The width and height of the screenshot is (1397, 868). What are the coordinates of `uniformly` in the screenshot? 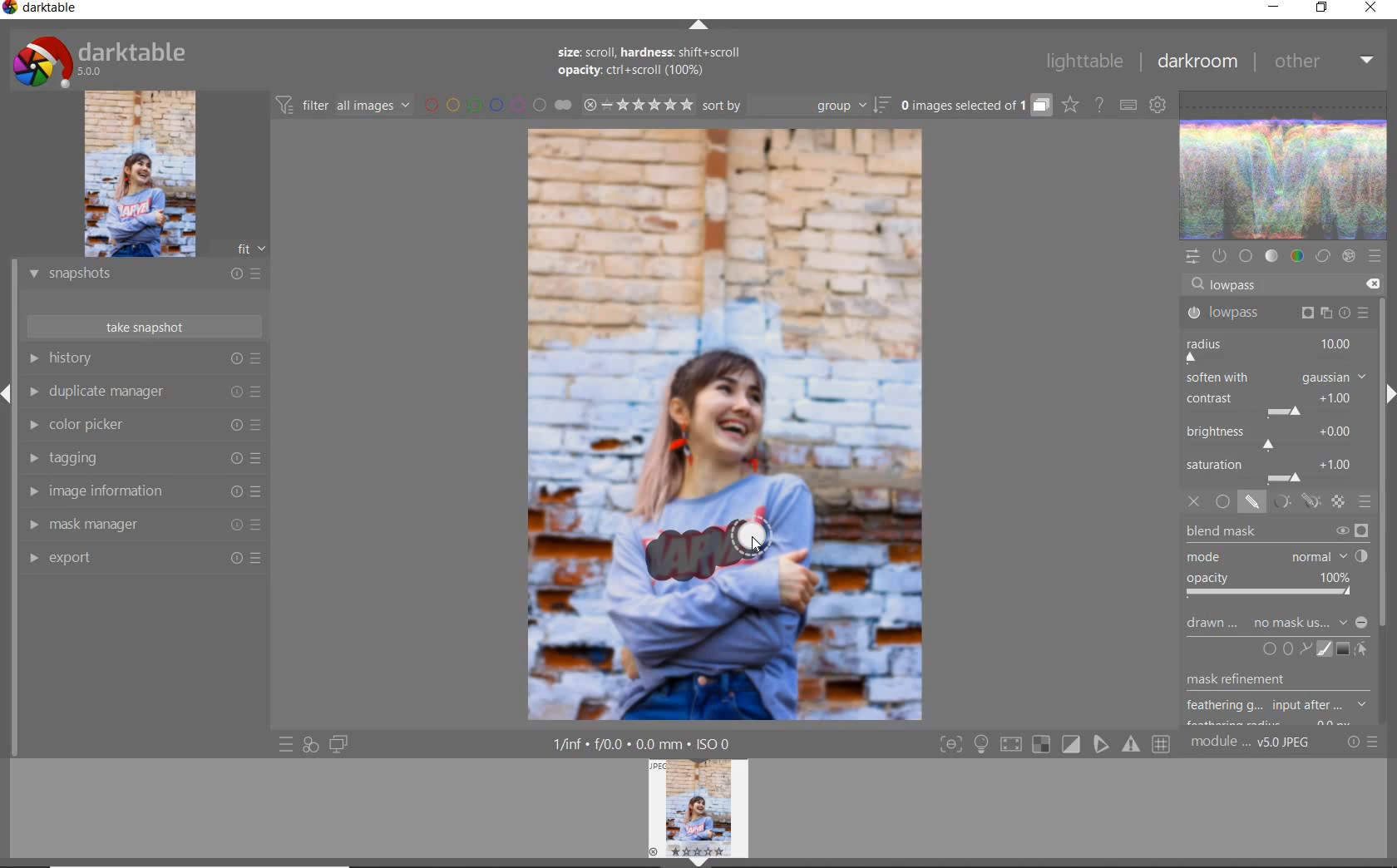 It's located at (1222, 502).